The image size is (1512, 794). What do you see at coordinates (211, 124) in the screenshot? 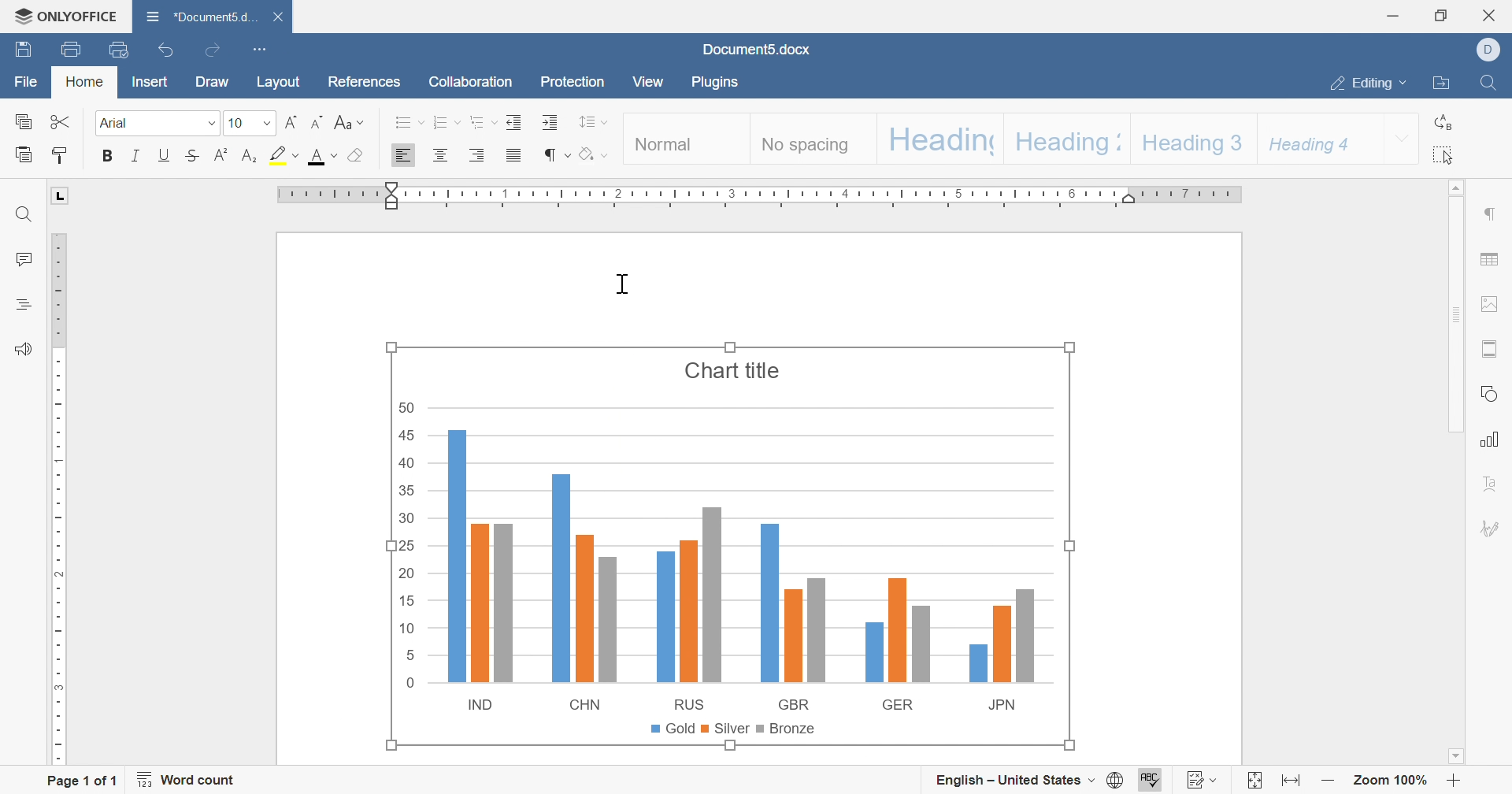
I see `drop down` at bounding box center [211, 124].